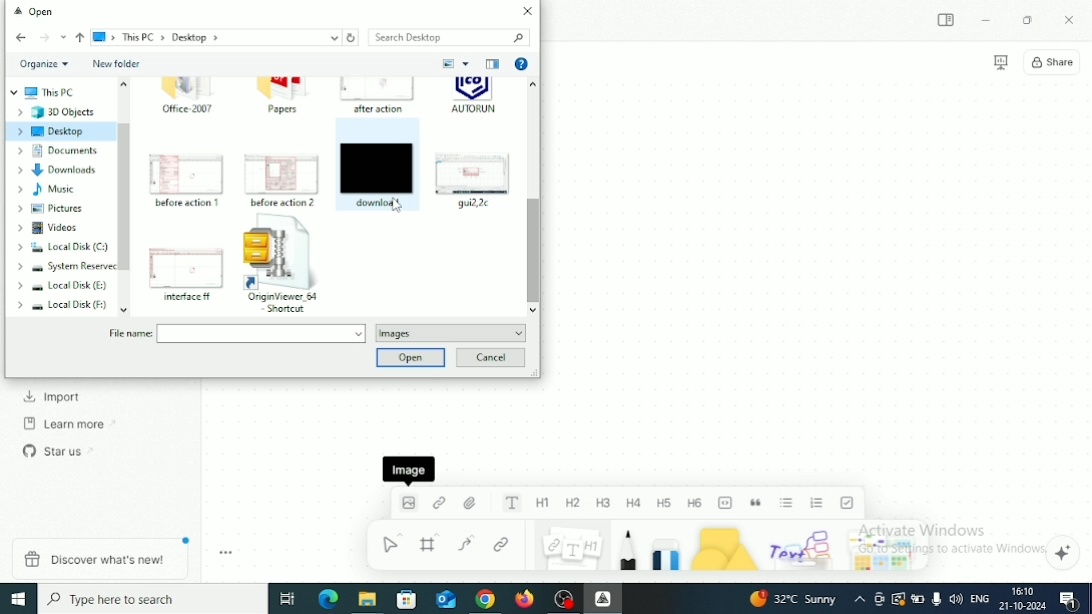 The height and width of the screenshot is (614, 1092). What do you see at coordinates (57, 170) in the screenshot?
I see `Downloads` at bounding box center [57, 170].